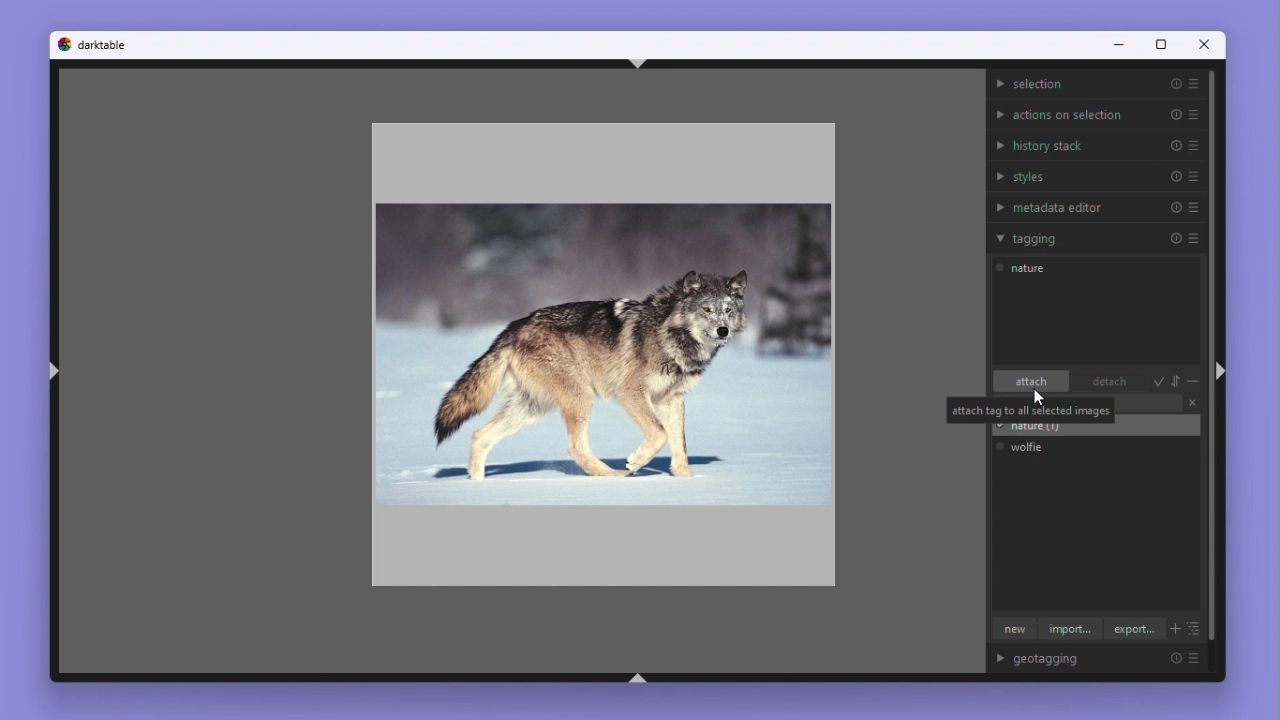  What do you see at coordinates (599, 348) in the screenshot?
I see `Image` at bounding box center [599, 348].